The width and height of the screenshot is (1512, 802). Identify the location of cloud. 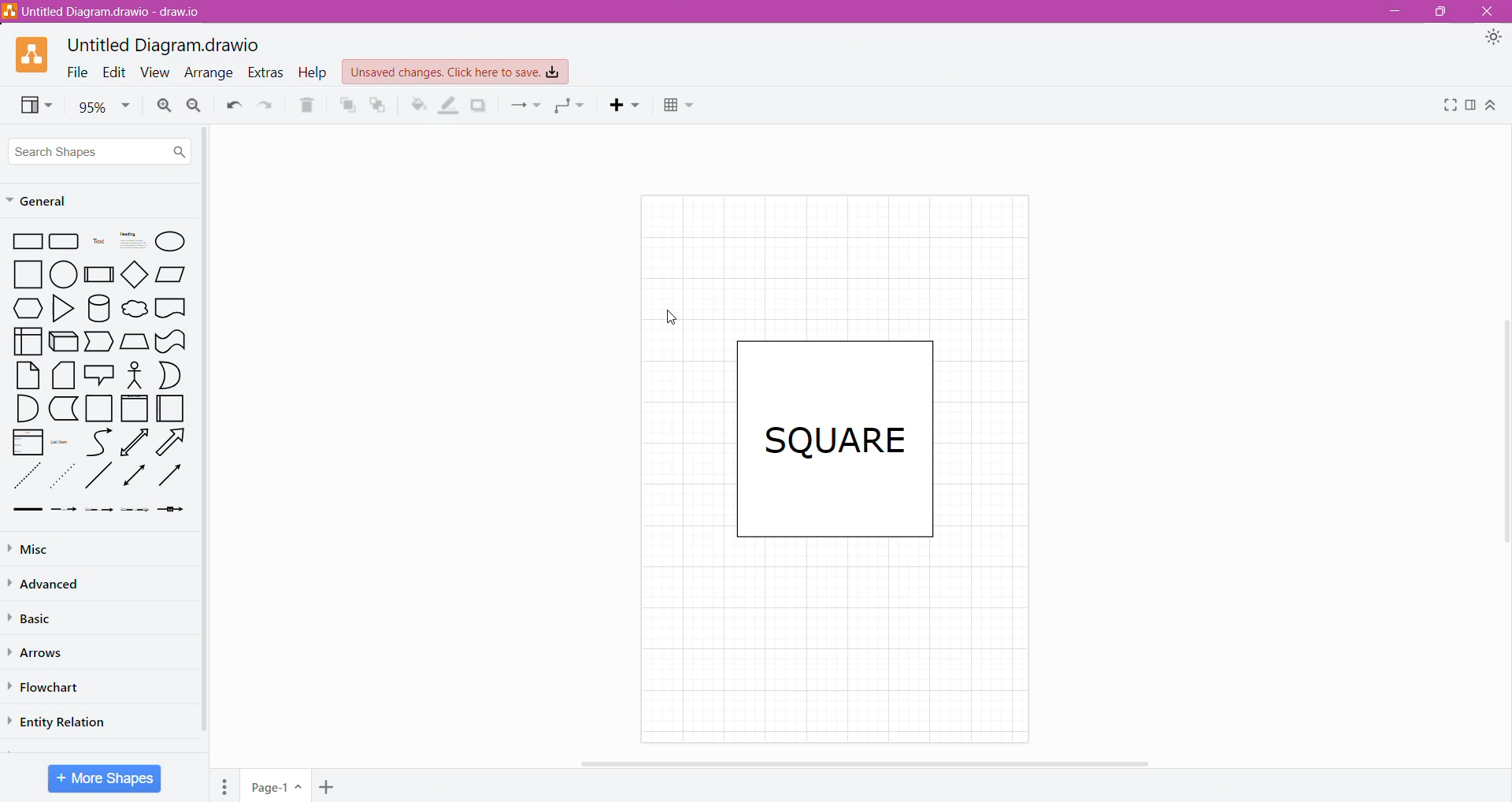
(134, 307).